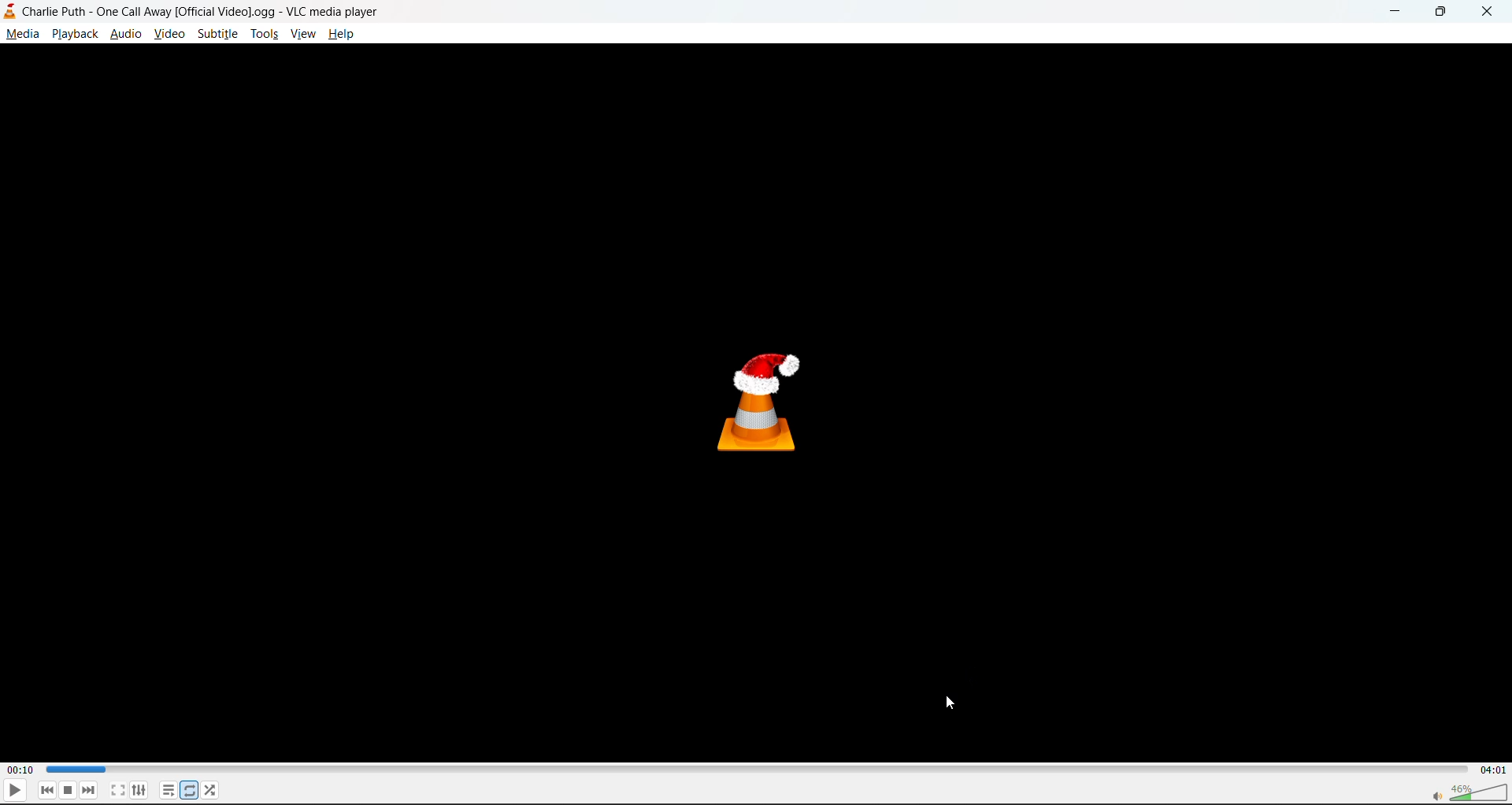  I want to click on close, so click(1492, 11).